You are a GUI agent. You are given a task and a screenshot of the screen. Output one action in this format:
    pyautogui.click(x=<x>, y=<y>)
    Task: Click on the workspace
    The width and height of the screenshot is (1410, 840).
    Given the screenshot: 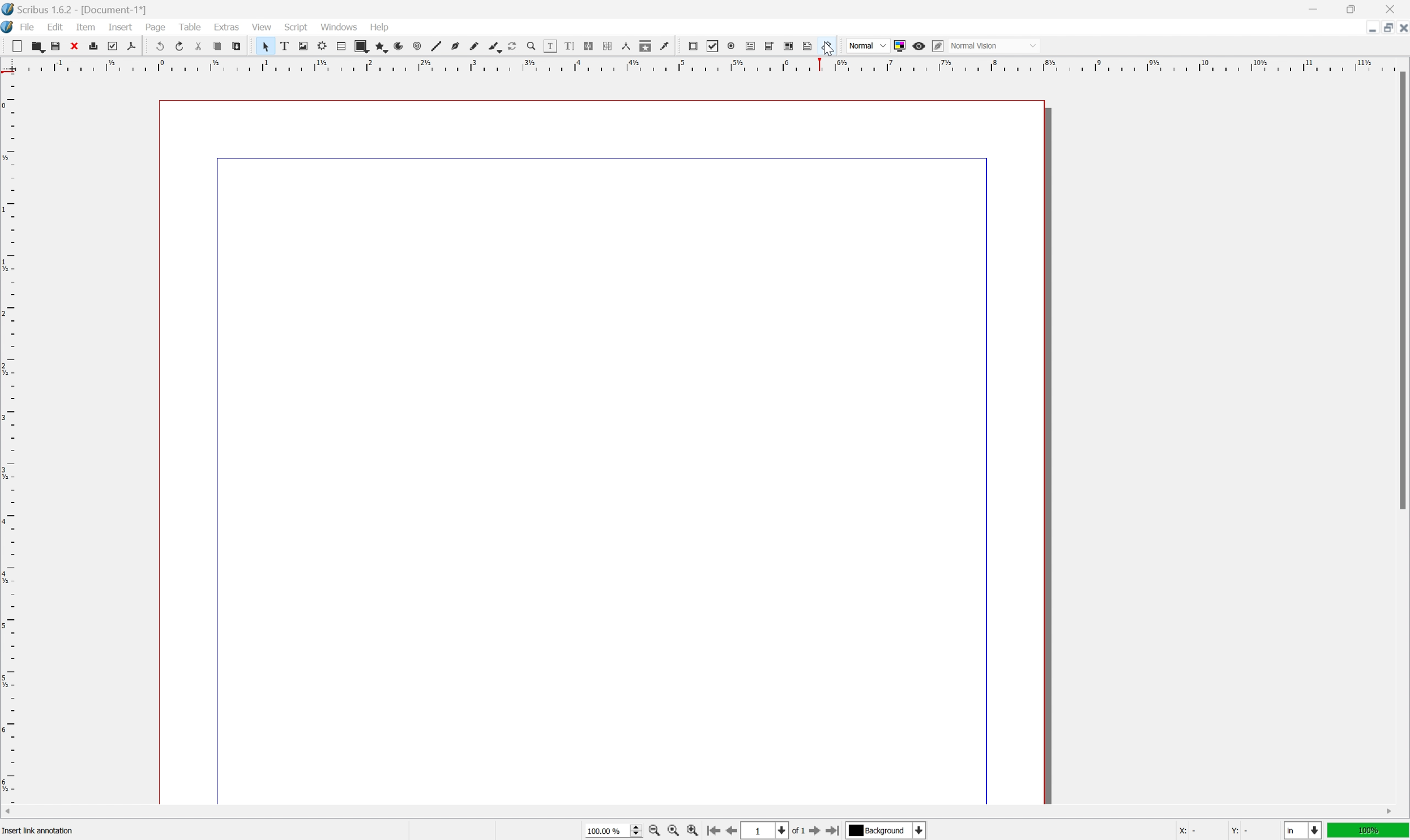 What is the action you would take?
    pyautogui.click(x=605, y=447)
    